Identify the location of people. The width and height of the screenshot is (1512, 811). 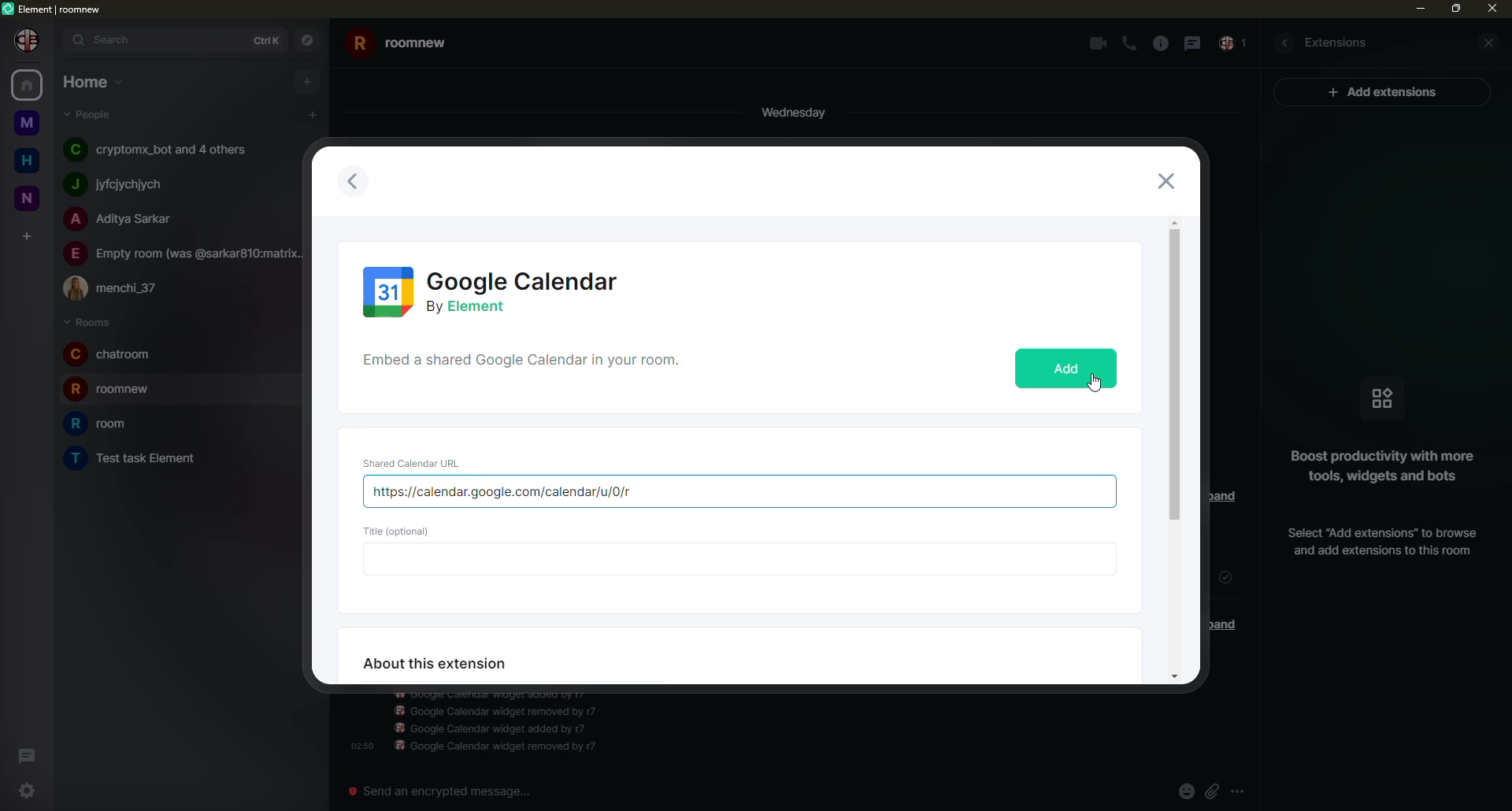
(185, 254).